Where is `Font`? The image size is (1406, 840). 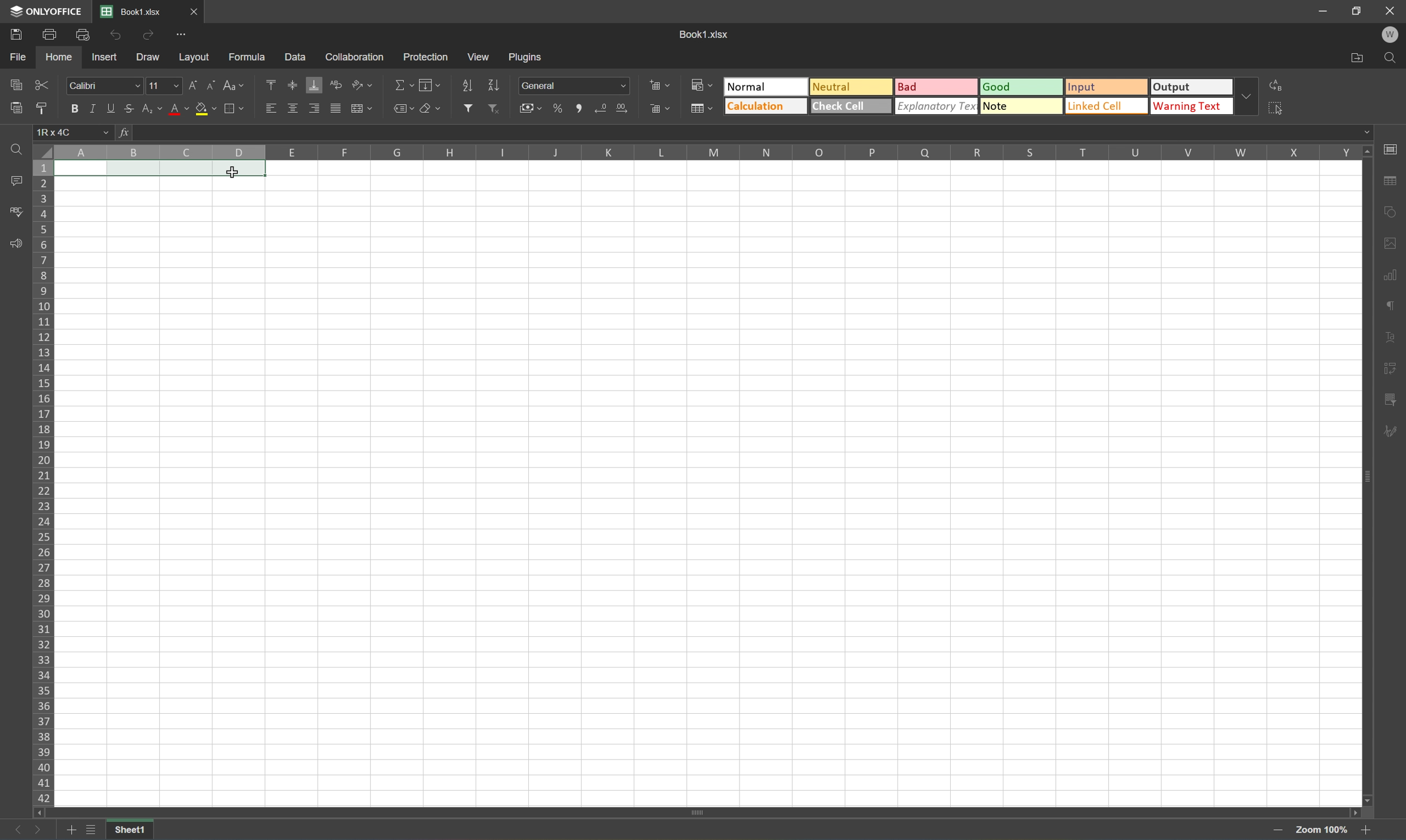
Font is located at coordinates (104, 85).